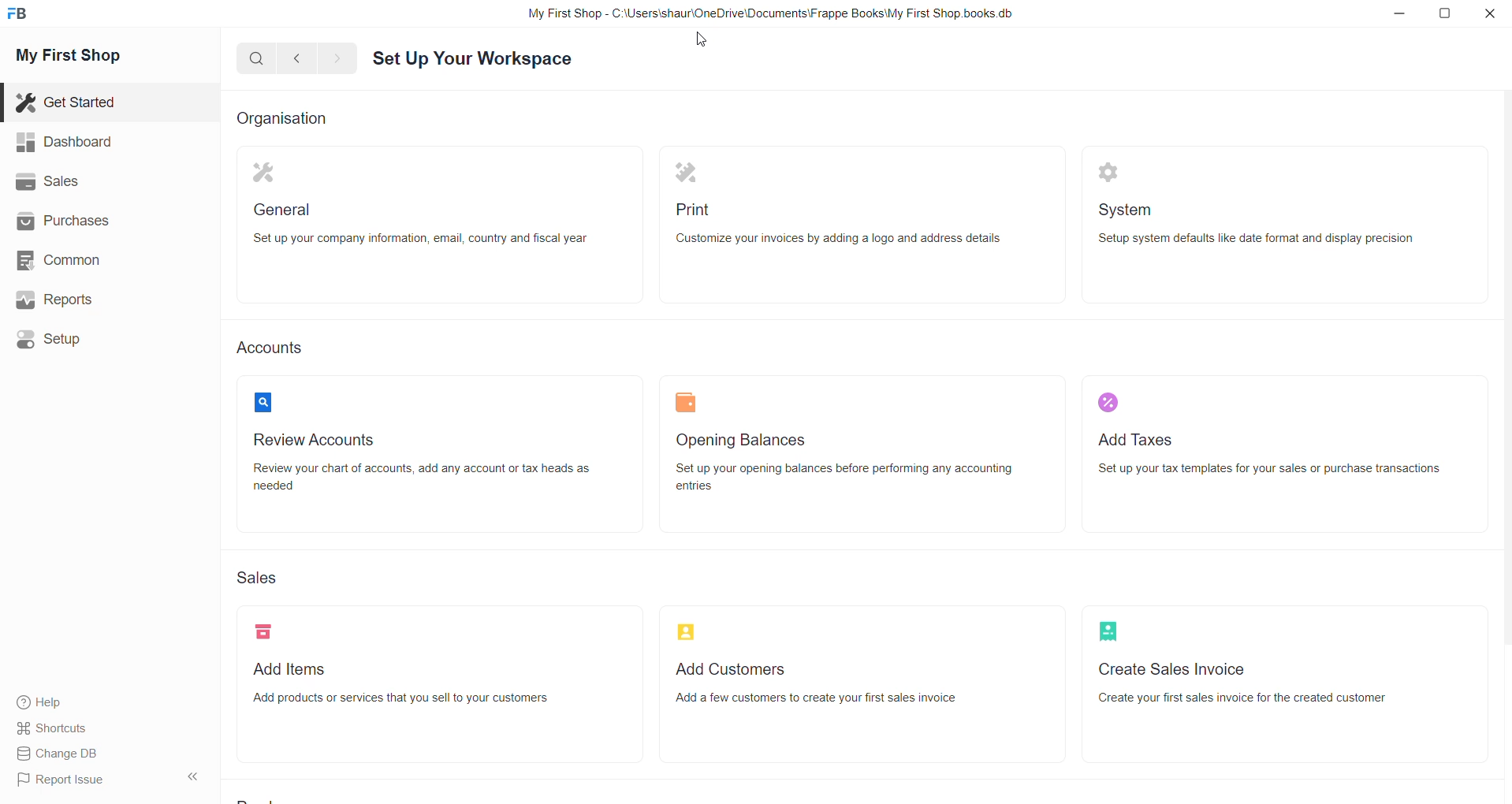  Describe the element at coordinates (272, 349) in the screenshot. I see `Accounts` at that location.